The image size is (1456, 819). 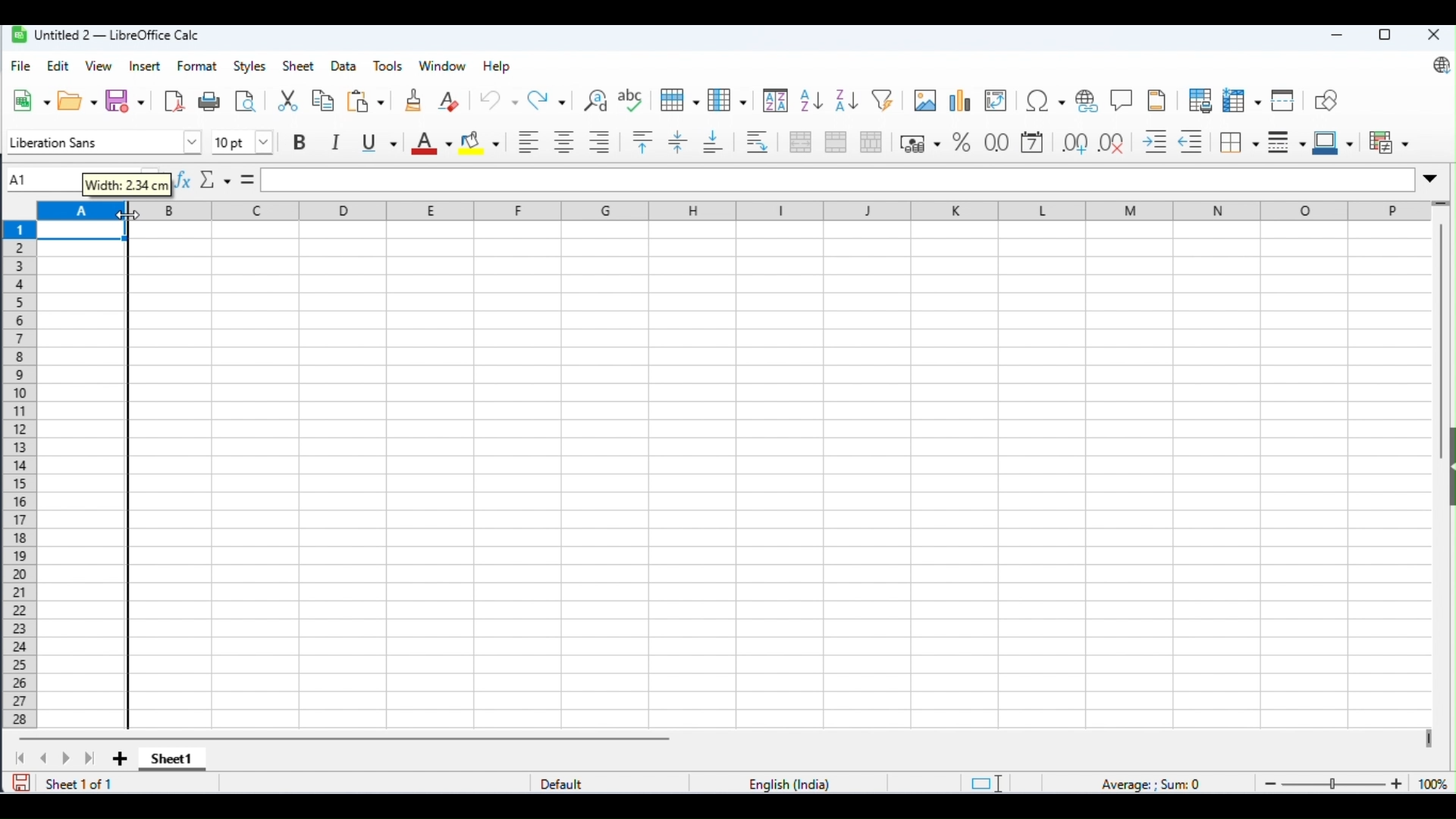 I want to click on tools, so click(x=390, y=67).